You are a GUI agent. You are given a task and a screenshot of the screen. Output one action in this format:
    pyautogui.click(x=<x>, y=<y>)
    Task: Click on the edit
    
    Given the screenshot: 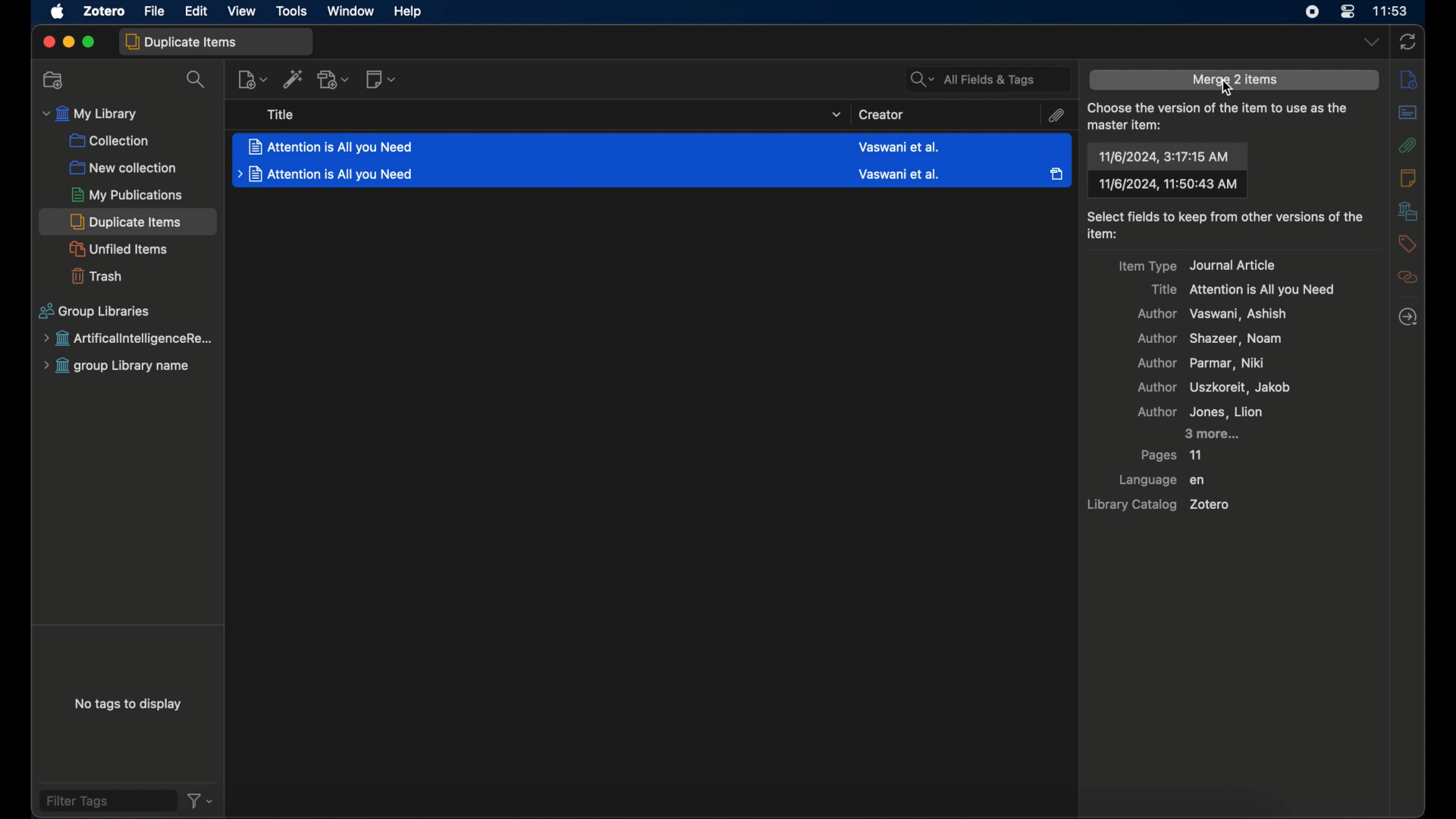 What is the action you would take?
    pyautogui.click(x=198, y=11)
    